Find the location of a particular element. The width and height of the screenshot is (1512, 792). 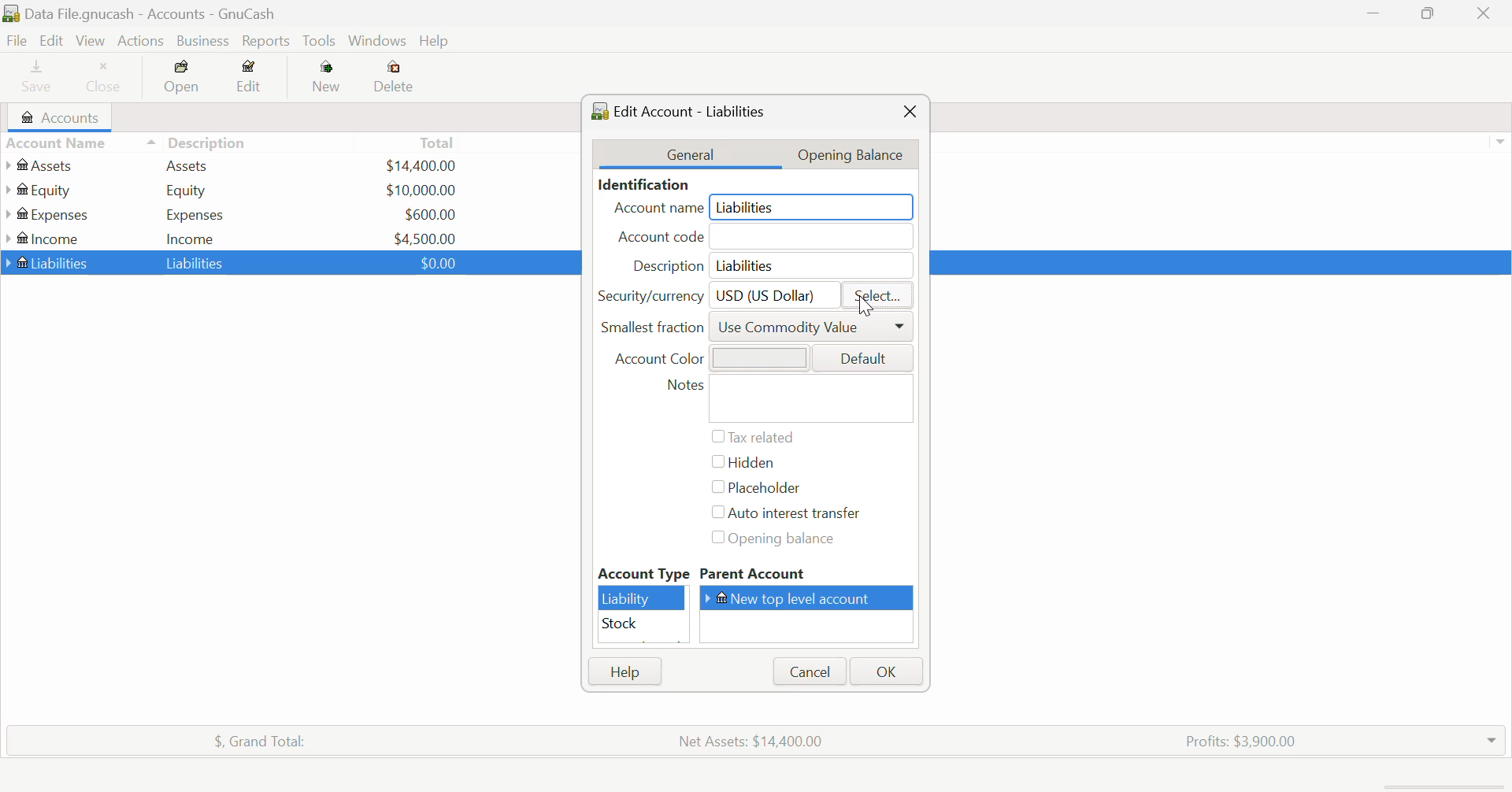

View is located at coordinates (89, 41).